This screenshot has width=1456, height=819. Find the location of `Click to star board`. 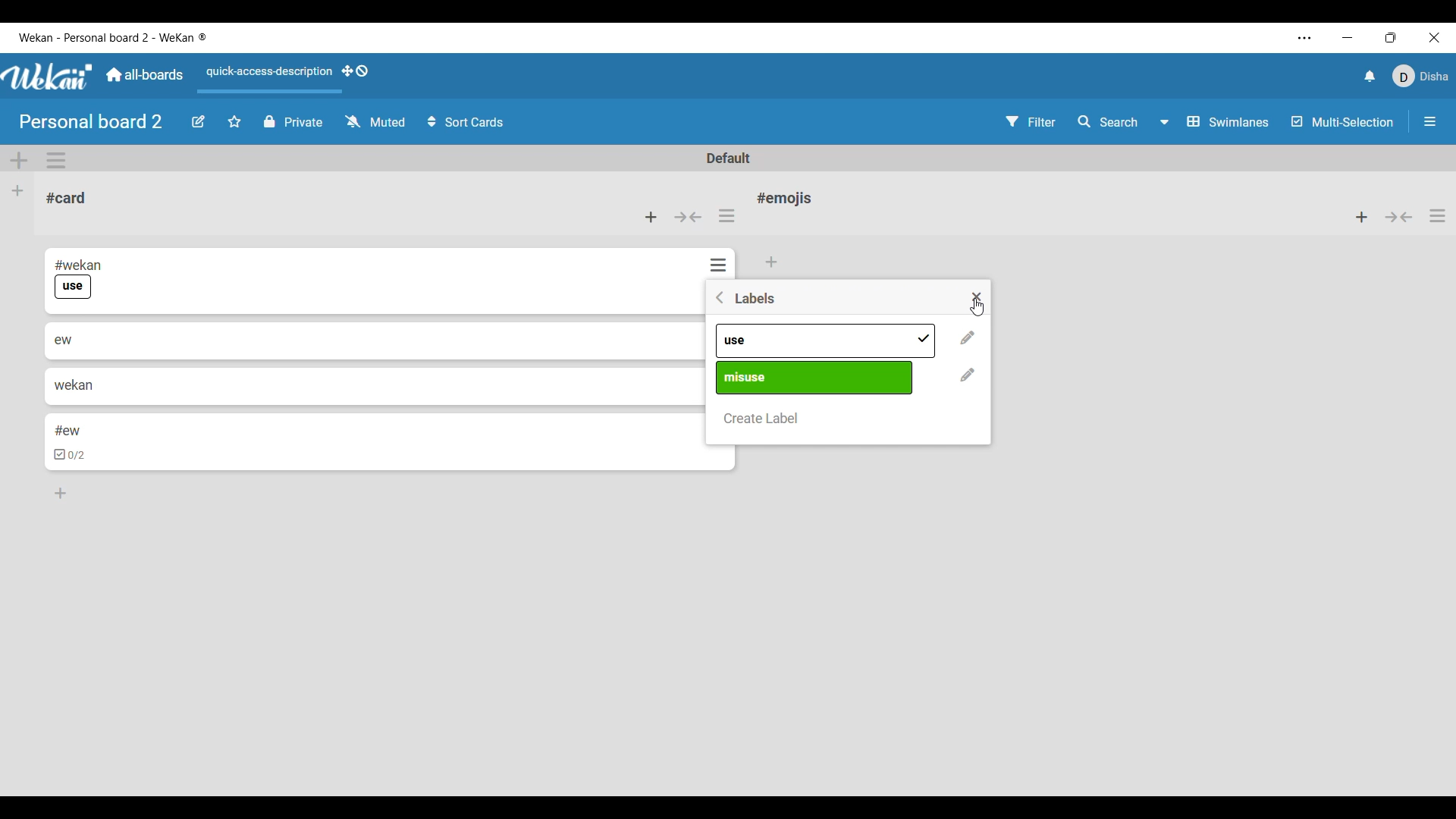

Click to star board is located at coordinates (234, 122).